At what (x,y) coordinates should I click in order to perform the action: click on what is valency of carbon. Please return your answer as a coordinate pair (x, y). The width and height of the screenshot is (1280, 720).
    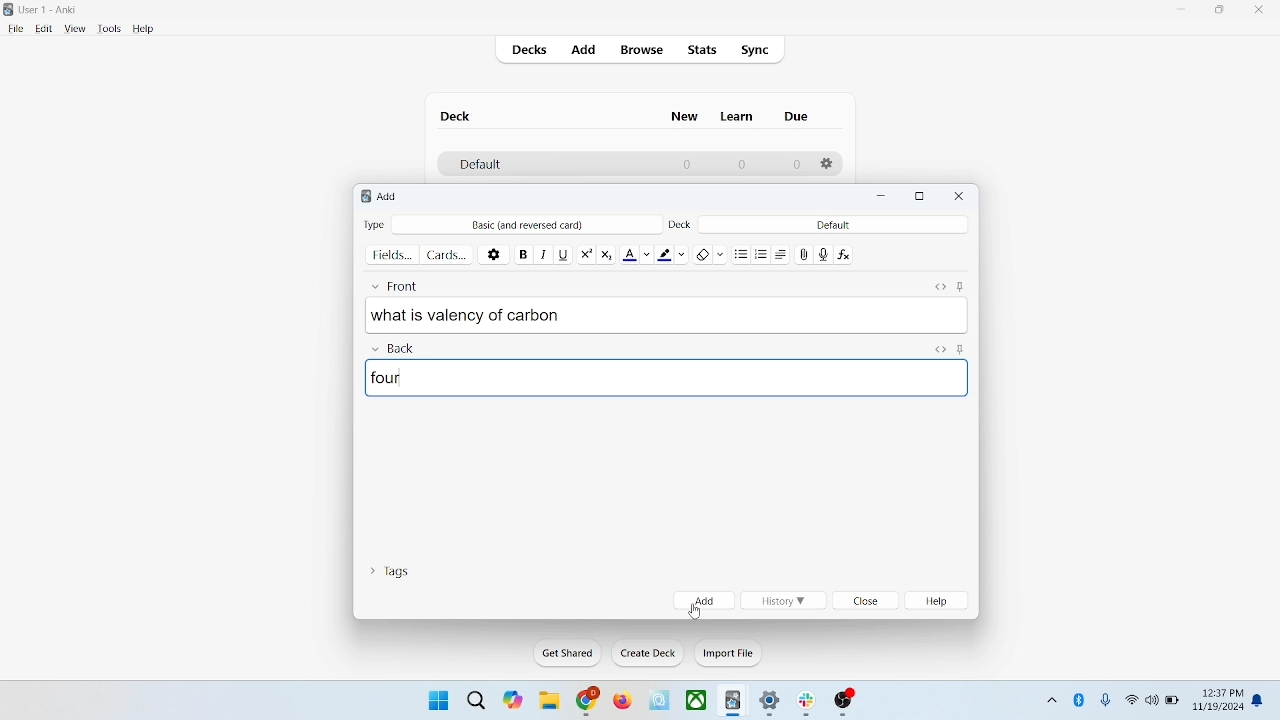
    Looking at the image, I should click on (667, 314).